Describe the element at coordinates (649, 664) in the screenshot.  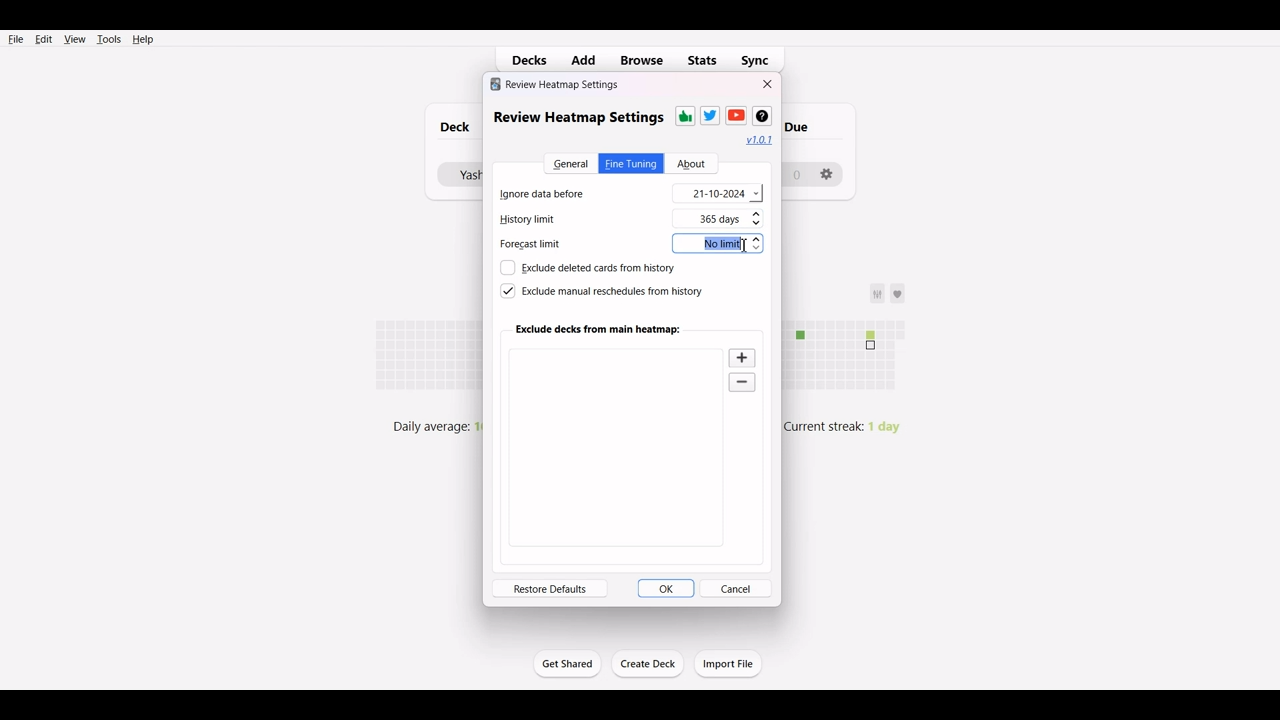
I see `Create Deck` at that location.